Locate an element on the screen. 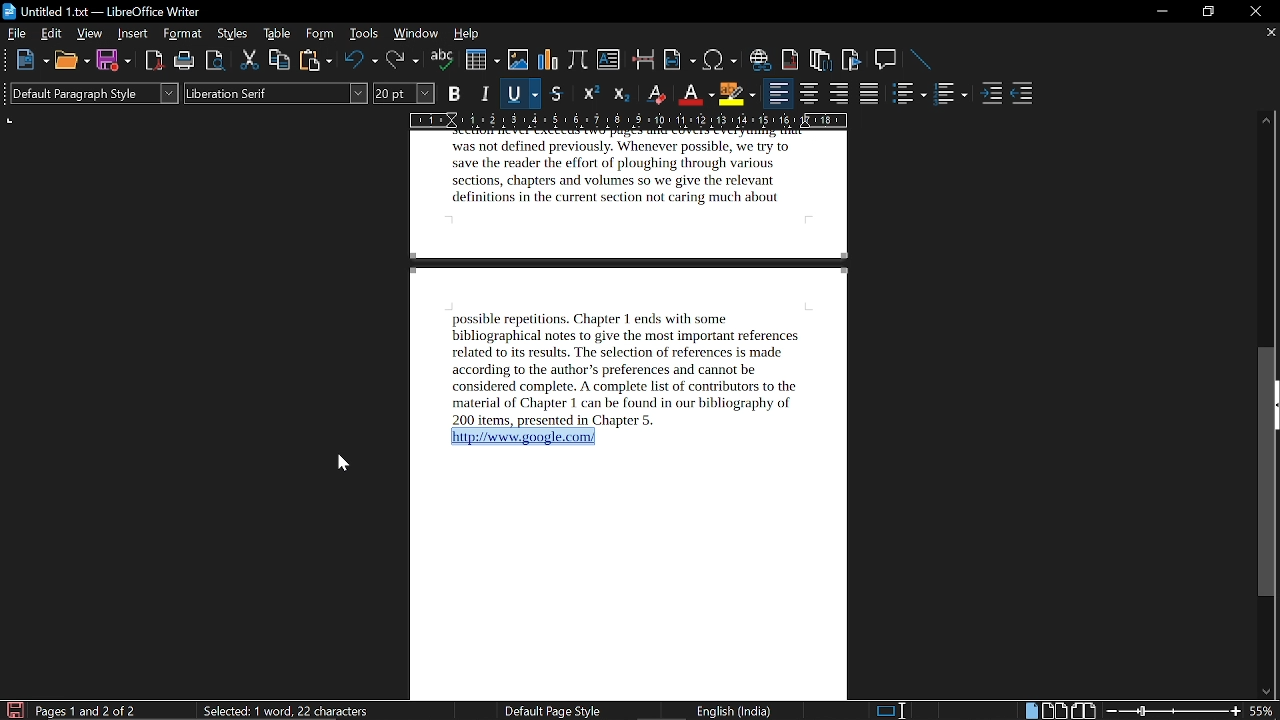  standard selection is located at coordinates (895, 710).